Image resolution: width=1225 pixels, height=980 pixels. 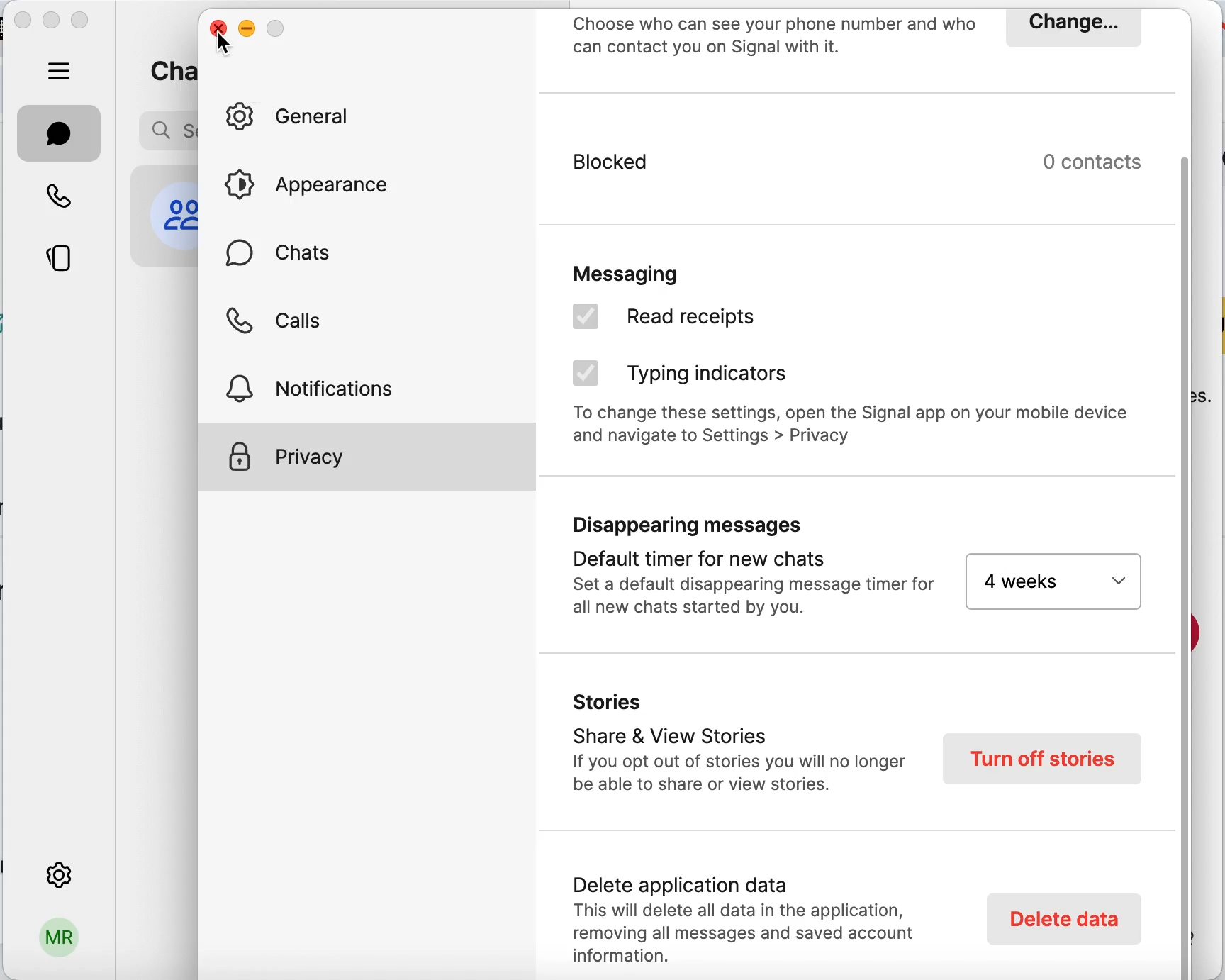 What do you see at coordinates (60, 194) in the screenshot?
I see `call` at bounding box center [60, 194].